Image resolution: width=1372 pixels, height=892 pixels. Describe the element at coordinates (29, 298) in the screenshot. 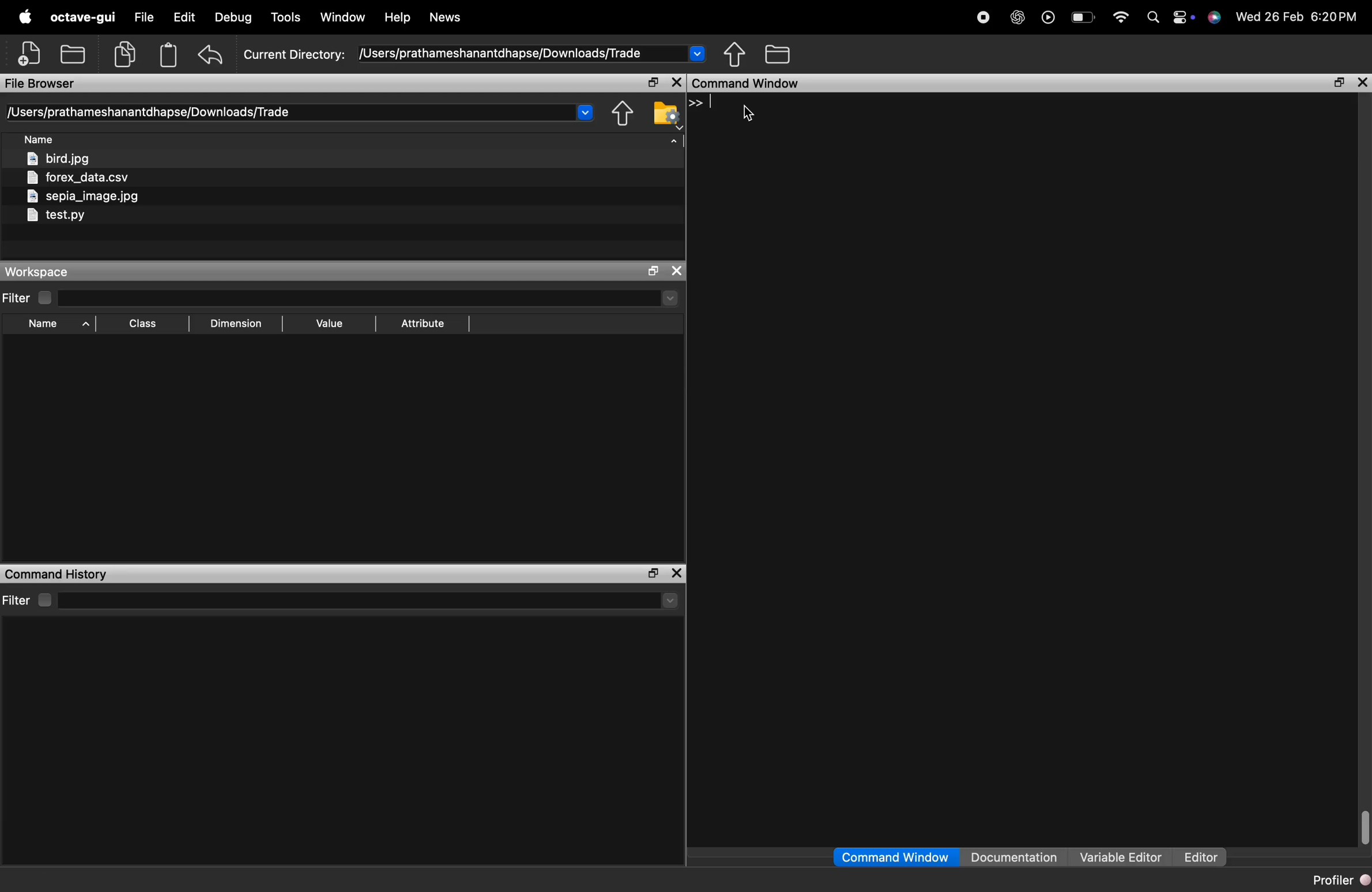

I see `Filter` at that location.